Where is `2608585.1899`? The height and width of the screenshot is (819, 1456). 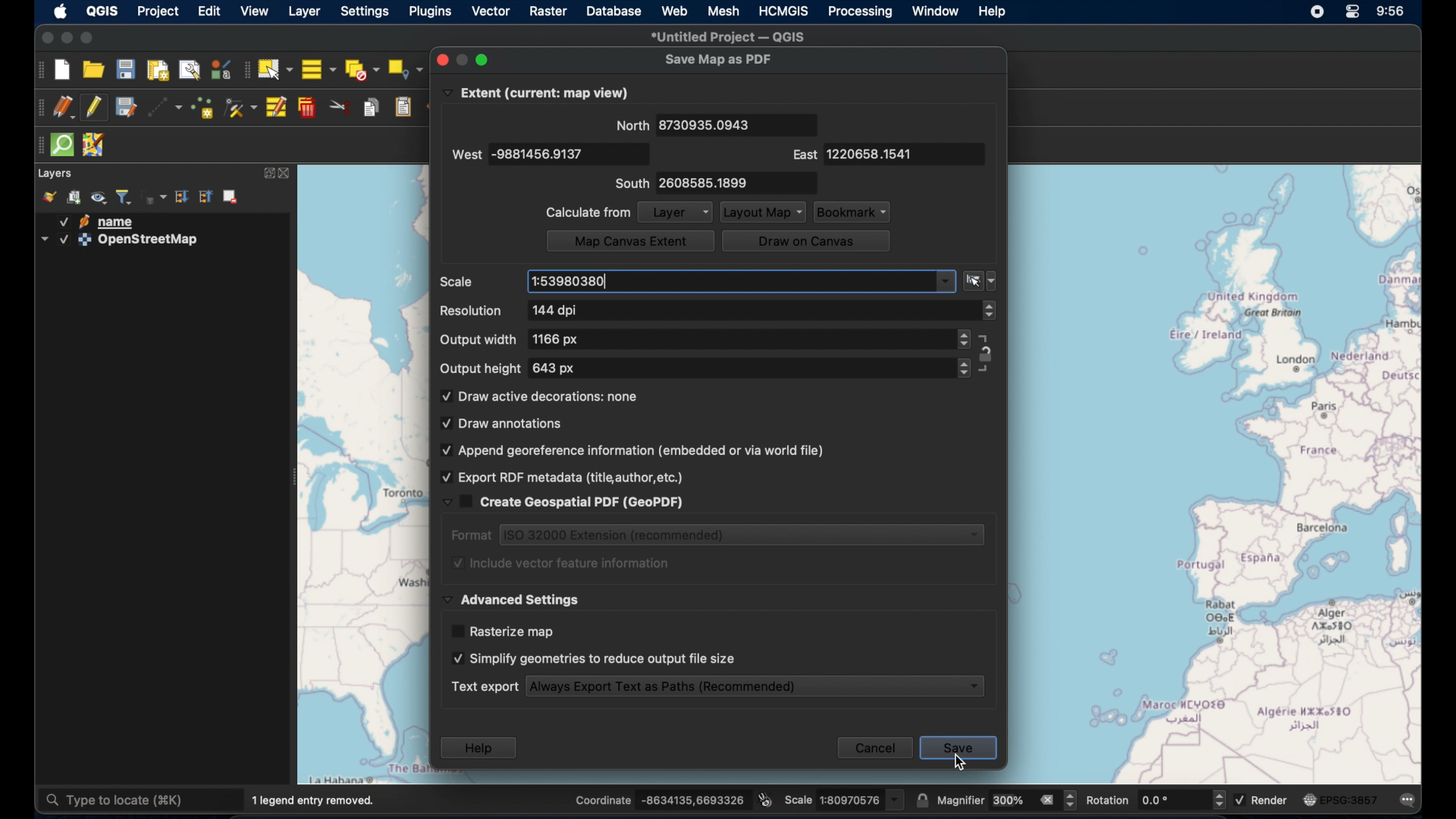 2608585.1899 is located at coordinates (705, 182).